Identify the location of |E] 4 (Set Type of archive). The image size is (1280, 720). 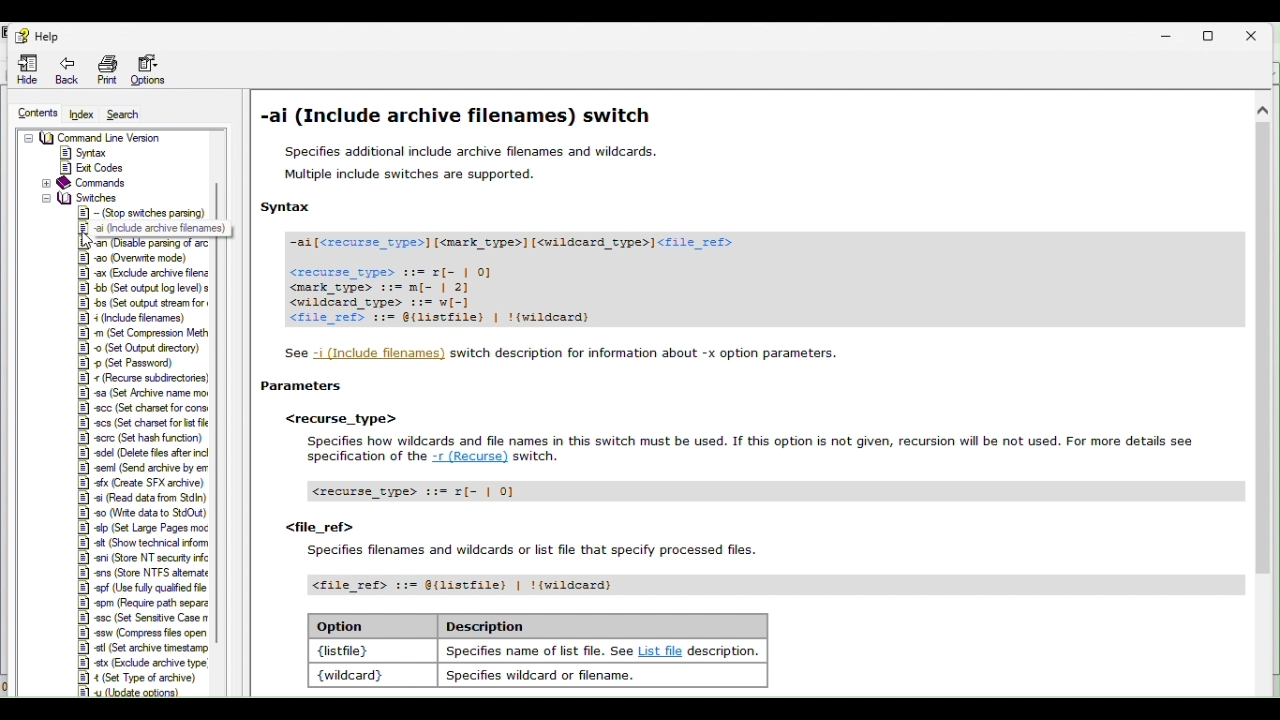
(138, 678).